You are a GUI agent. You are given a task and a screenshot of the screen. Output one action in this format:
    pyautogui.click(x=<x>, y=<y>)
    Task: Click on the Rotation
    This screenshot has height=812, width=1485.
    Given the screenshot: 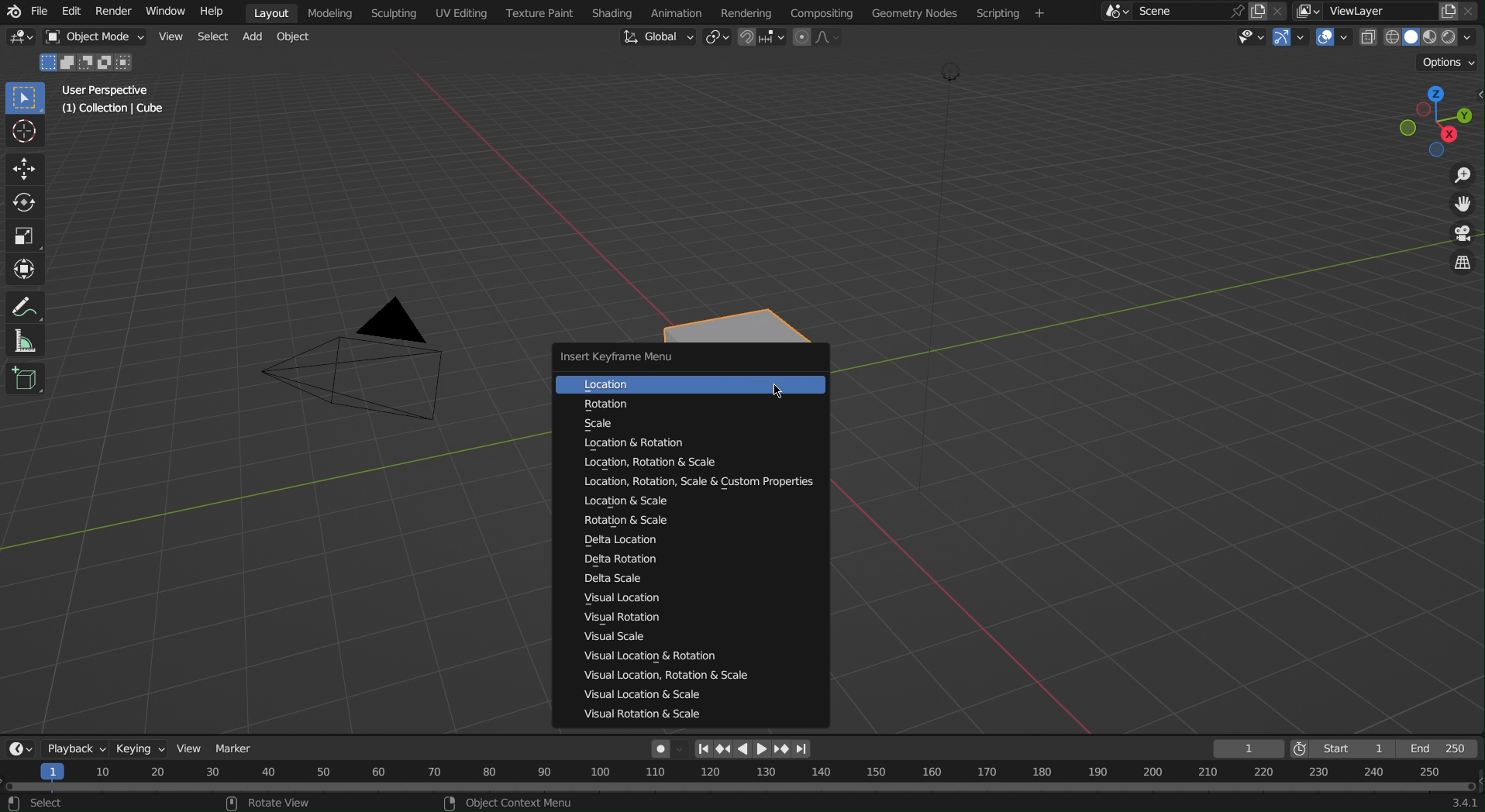 What is the action you would take?
    pyautogui.click(x=649, y=404)
    